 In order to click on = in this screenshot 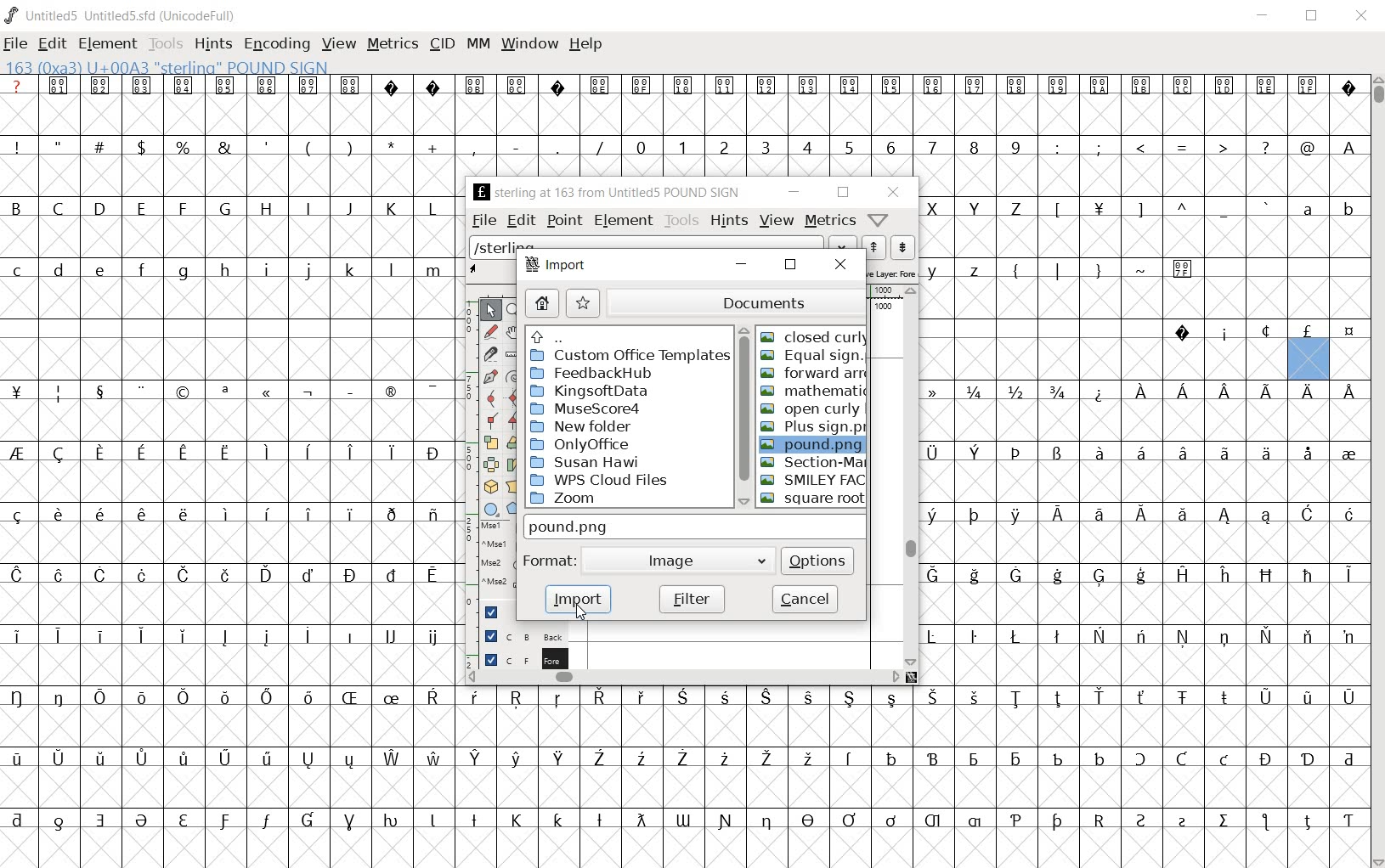, I will do `click(1183, 147)`.